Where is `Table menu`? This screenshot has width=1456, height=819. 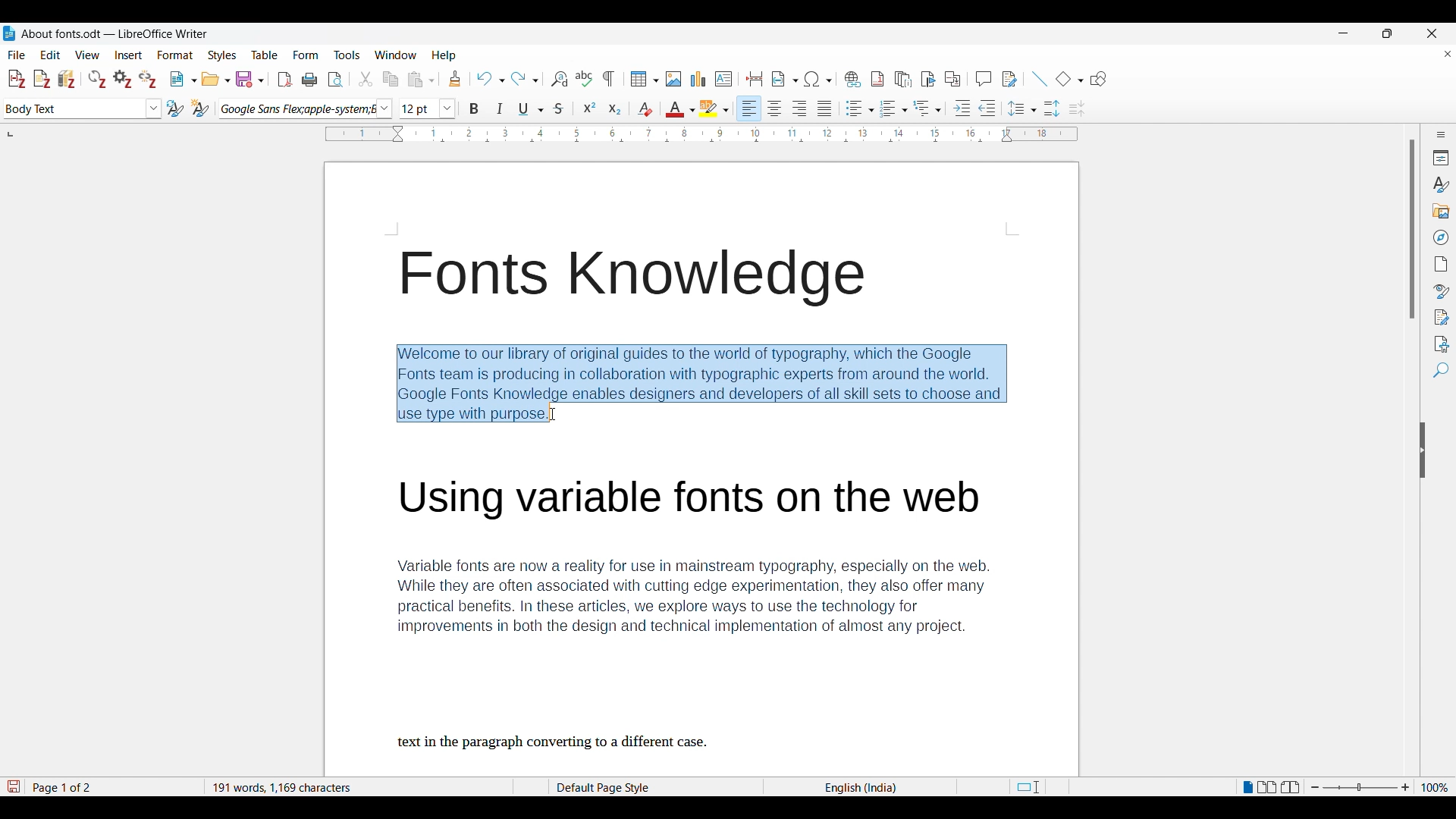 Table menu is located at coordinates (265, 55).